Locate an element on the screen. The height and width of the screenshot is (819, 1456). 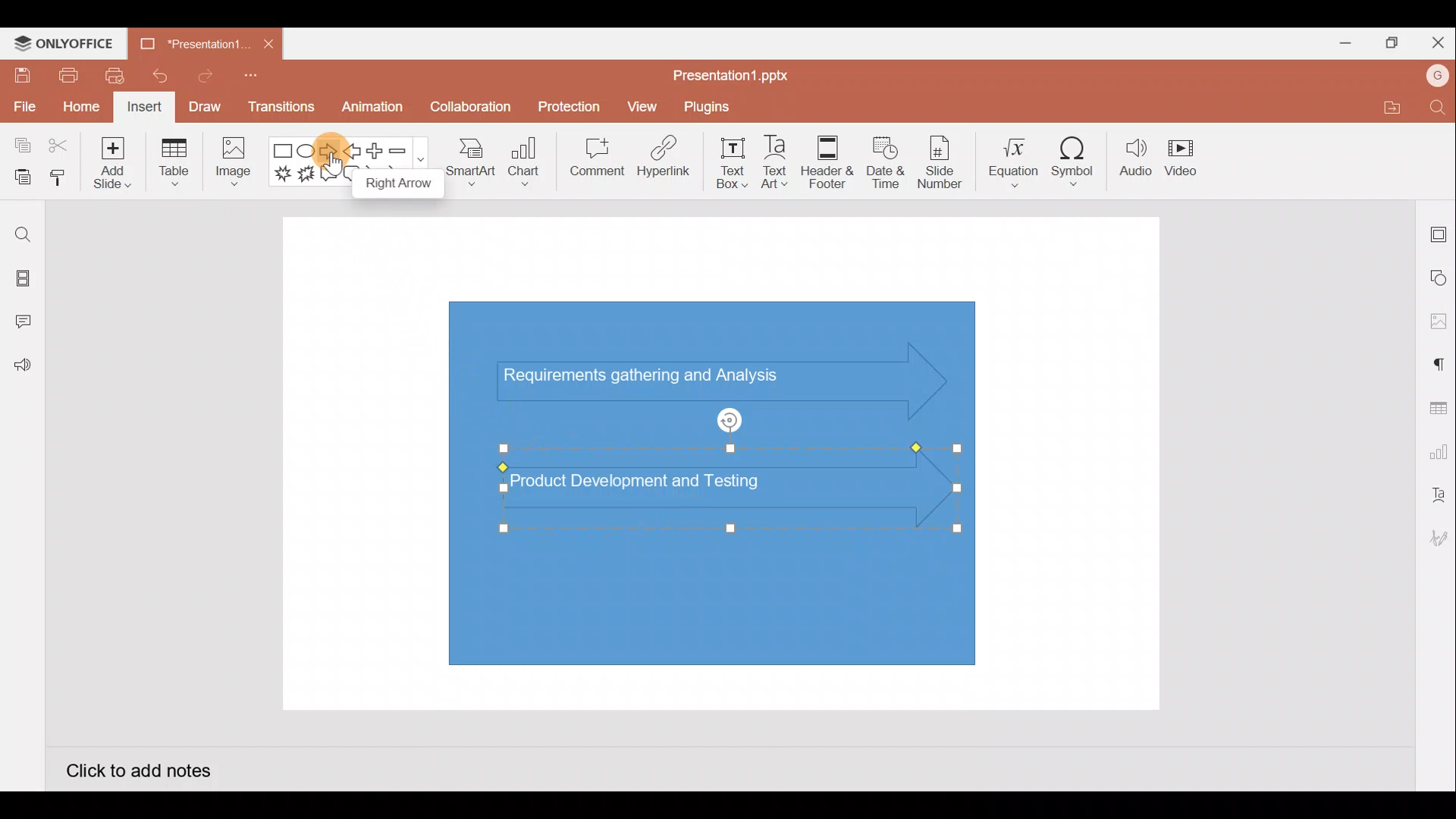
Insert is located at coordinates (145, 108).